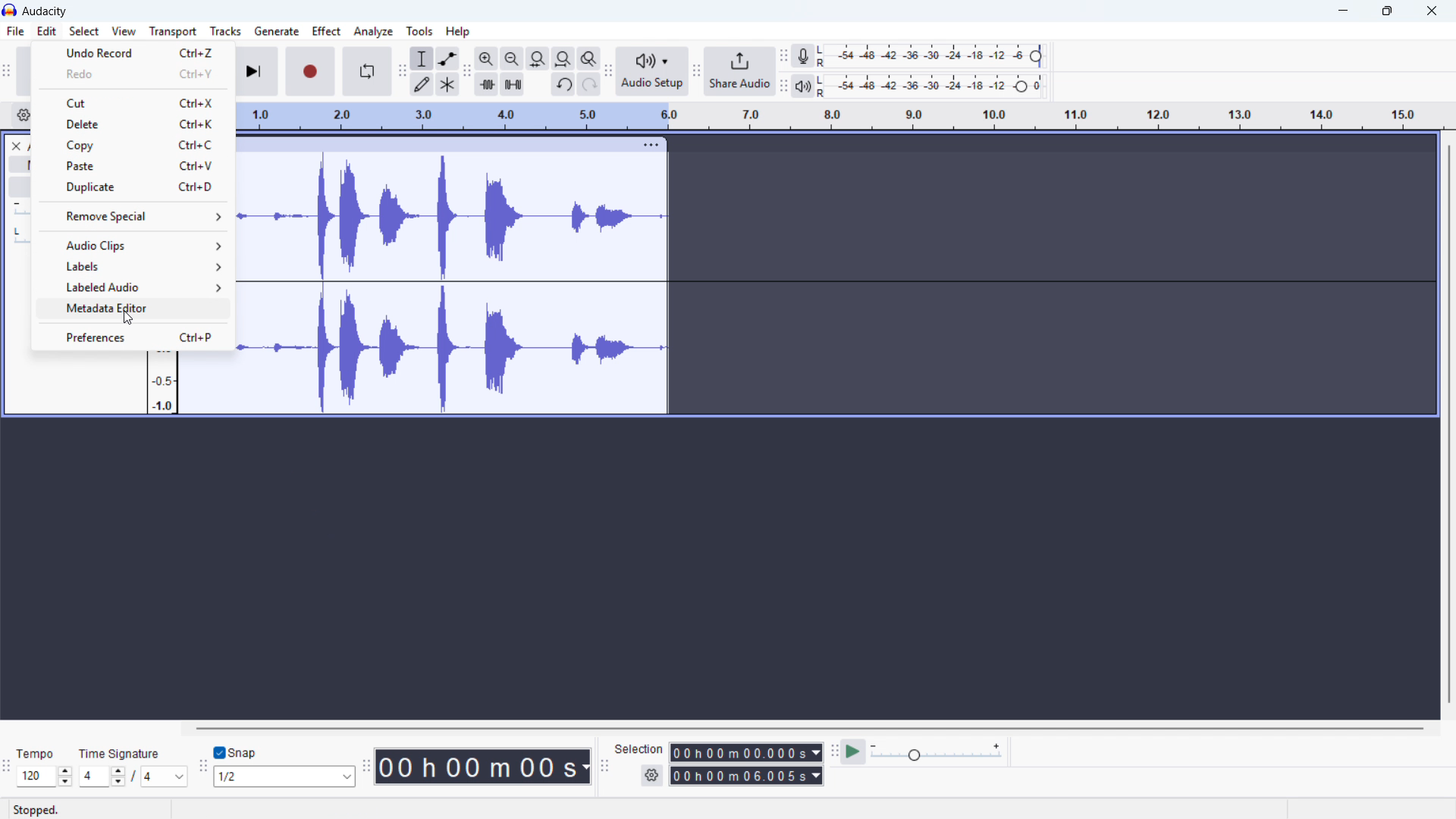 The width and height of the screenshot is (1456, 819). Describe the element at coordinates (783, 86) in the screenshot. I see `playback meter toolbar` at that location.